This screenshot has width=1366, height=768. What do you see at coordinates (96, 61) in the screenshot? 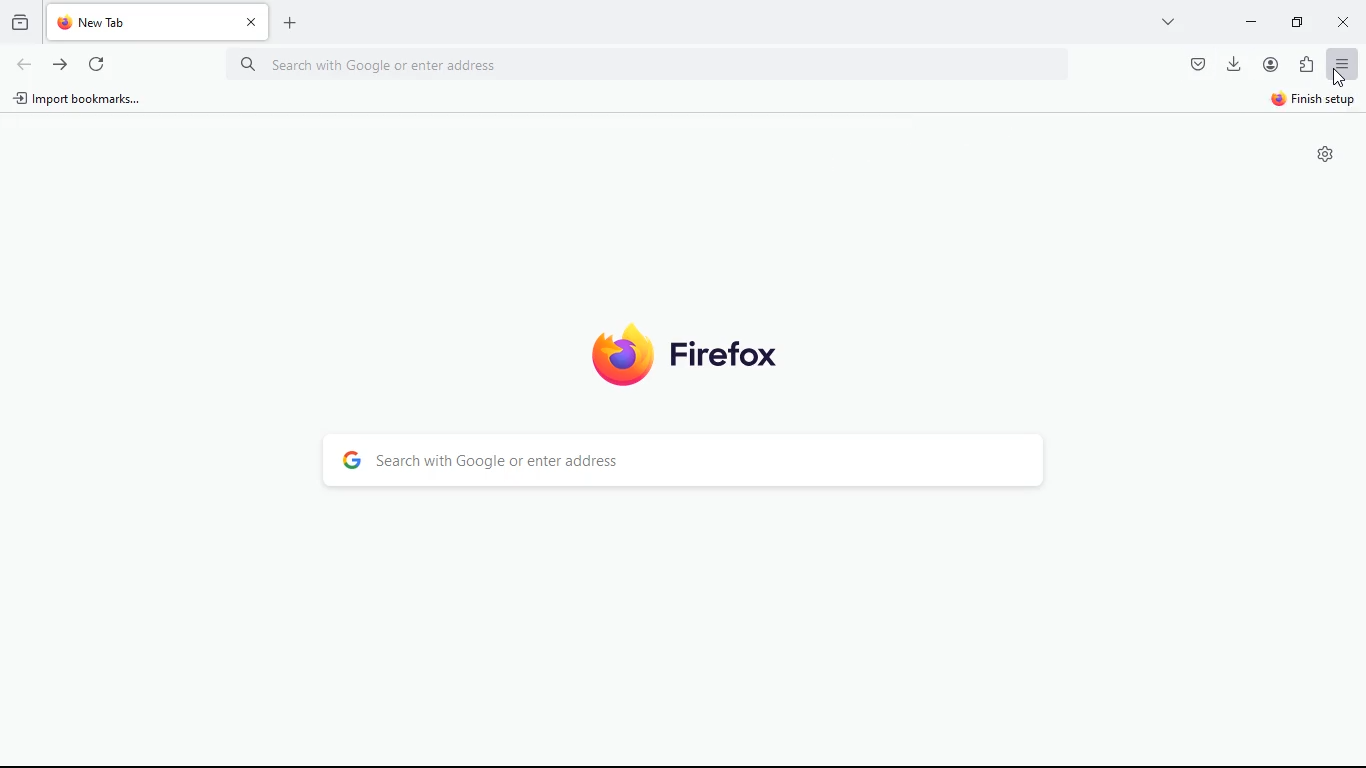
I see `refresh` at bounding box center [96, 61].